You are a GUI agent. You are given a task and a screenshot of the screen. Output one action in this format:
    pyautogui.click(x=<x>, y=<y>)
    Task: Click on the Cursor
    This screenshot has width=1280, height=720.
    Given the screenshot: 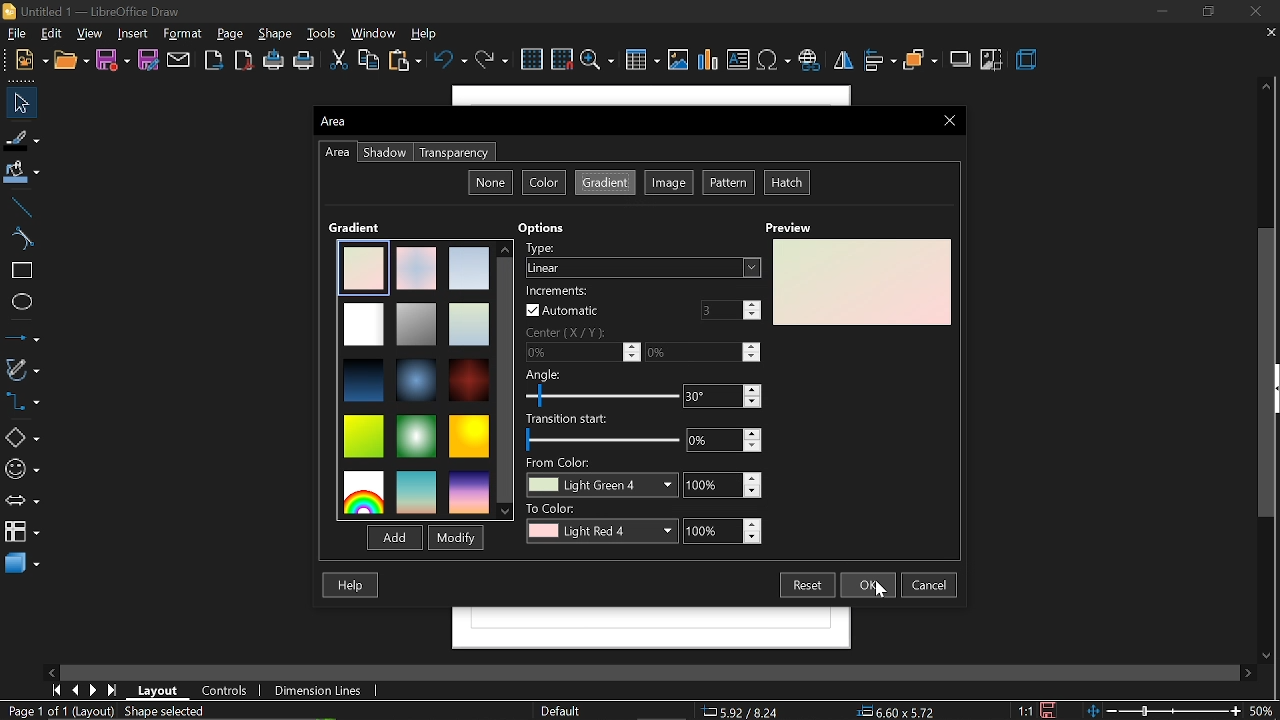 What is the action you would take?
    pyautogui.click(x=880, y=591)
    